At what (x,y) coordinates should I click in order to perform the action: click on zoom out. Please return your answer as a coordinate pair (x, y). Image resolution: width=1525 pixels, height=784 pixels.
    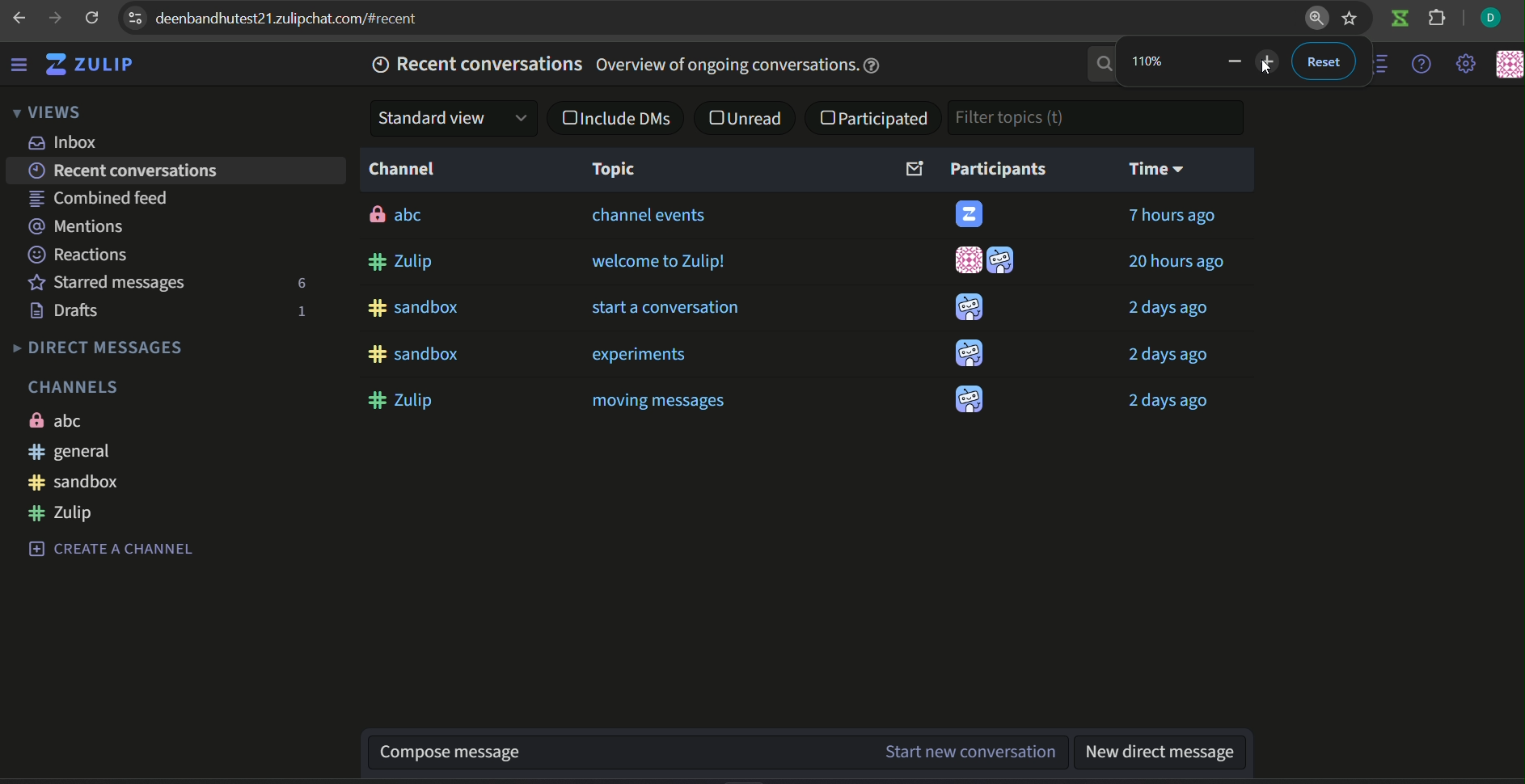
    Looking at the image, I should click on (1270, 62).